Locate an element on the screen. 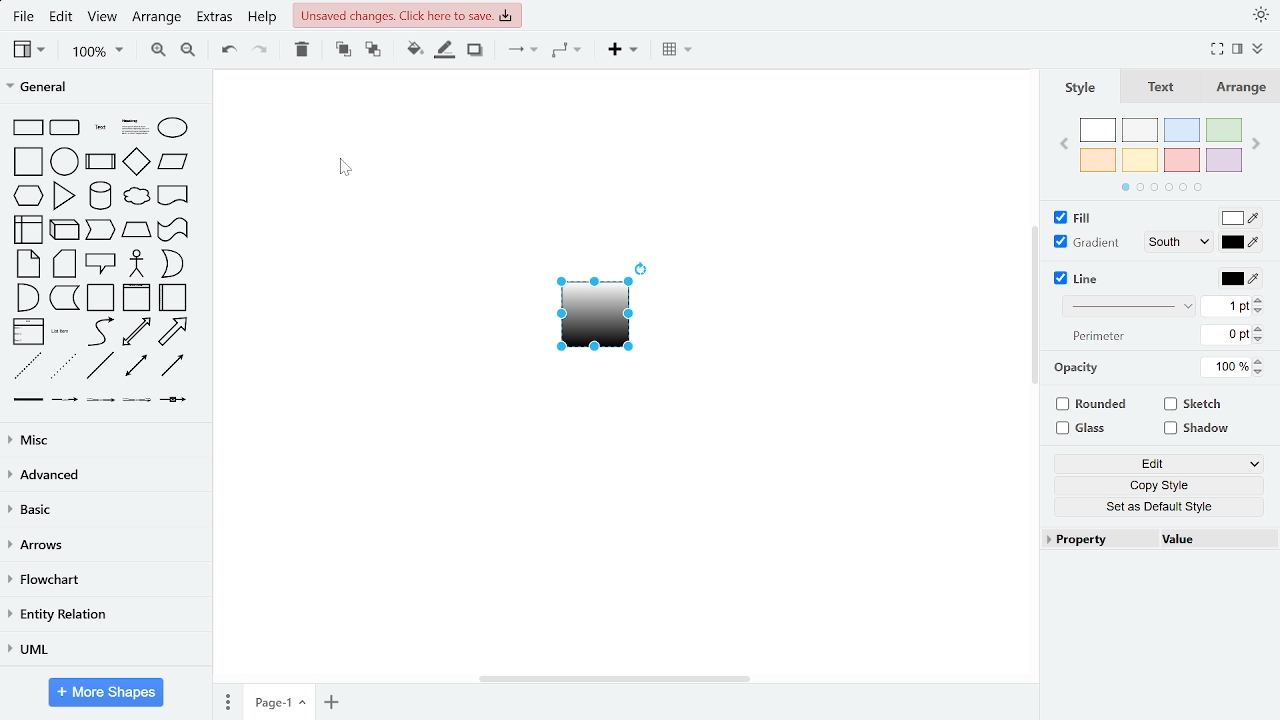  current page is located at coordinates (278, 703).